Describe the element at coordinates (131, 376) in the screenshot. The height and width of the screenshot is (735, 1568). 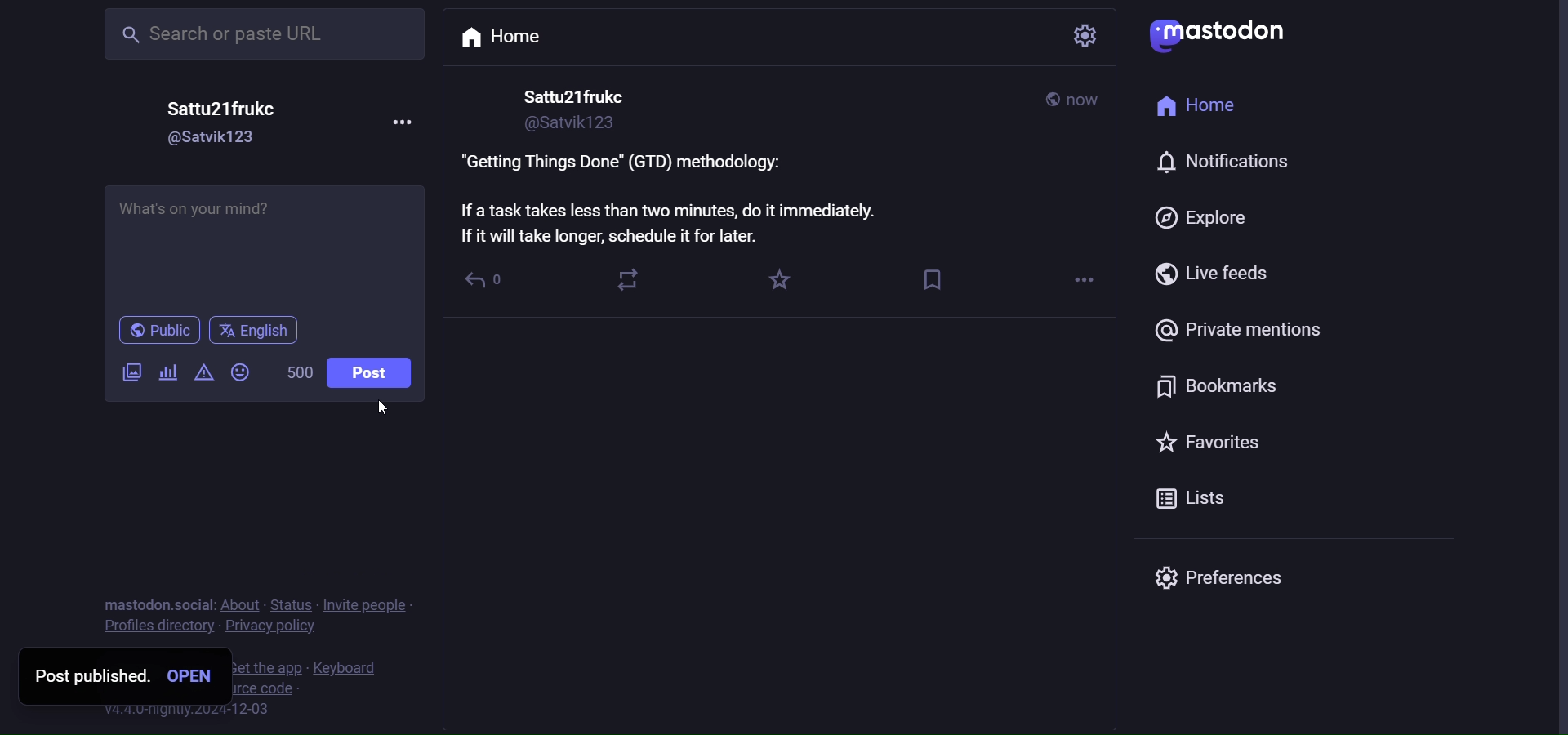
I see `images/videos` at that location.